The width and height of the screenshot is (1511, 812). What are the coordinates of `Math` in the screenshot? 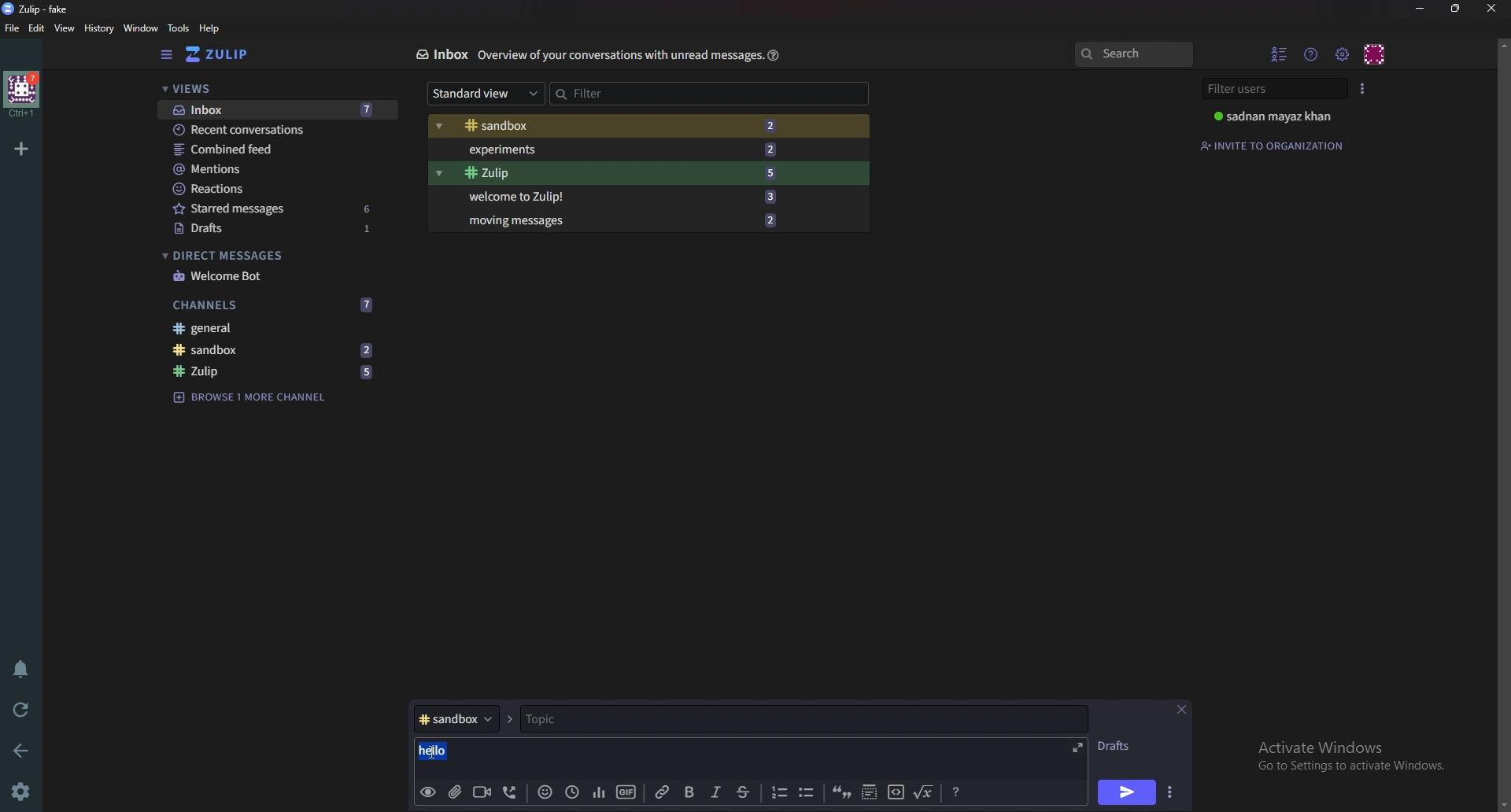 It's located at (923, 792).